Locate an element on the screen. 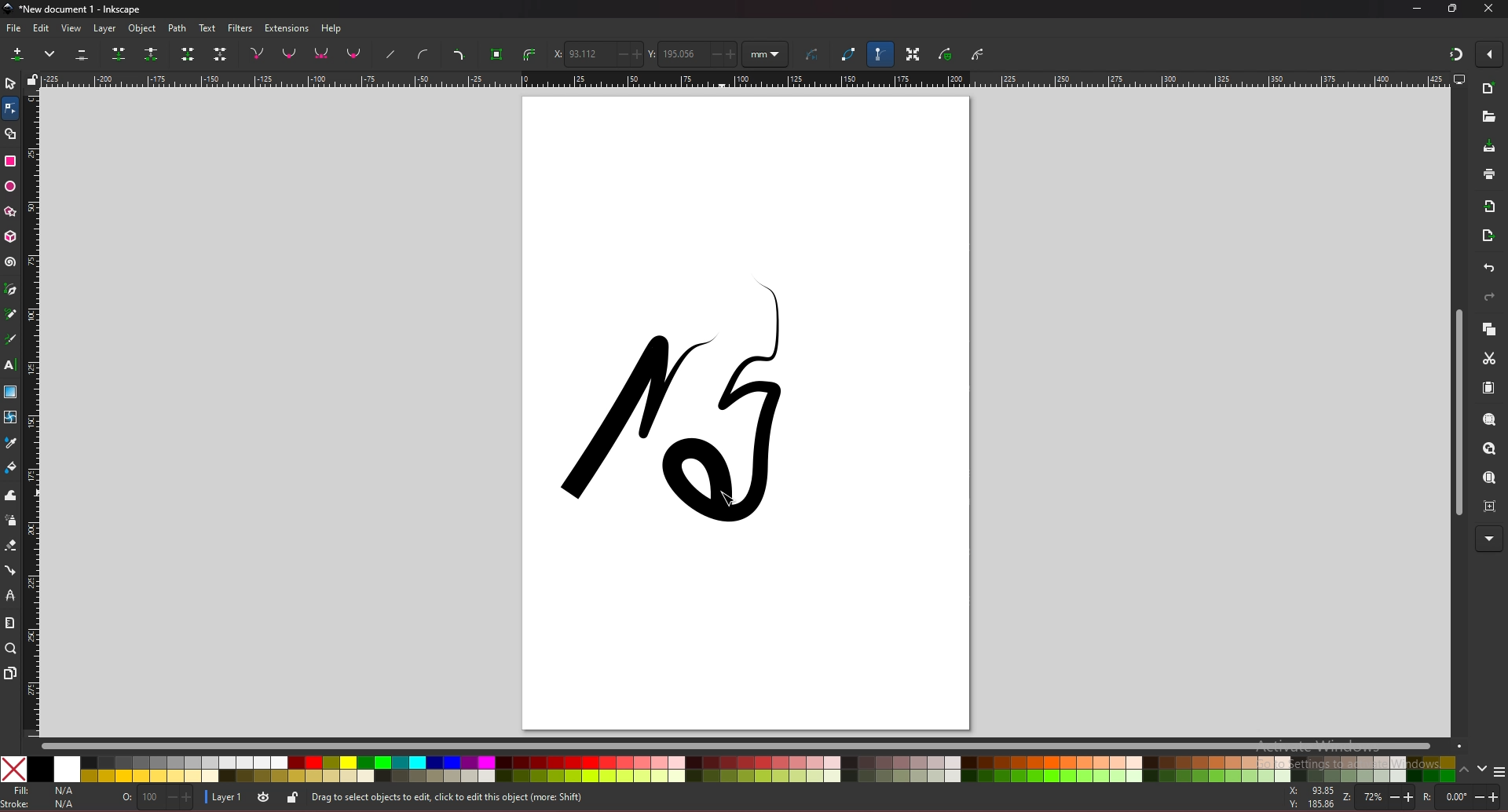  opacity is located at coordinates (158, 798).